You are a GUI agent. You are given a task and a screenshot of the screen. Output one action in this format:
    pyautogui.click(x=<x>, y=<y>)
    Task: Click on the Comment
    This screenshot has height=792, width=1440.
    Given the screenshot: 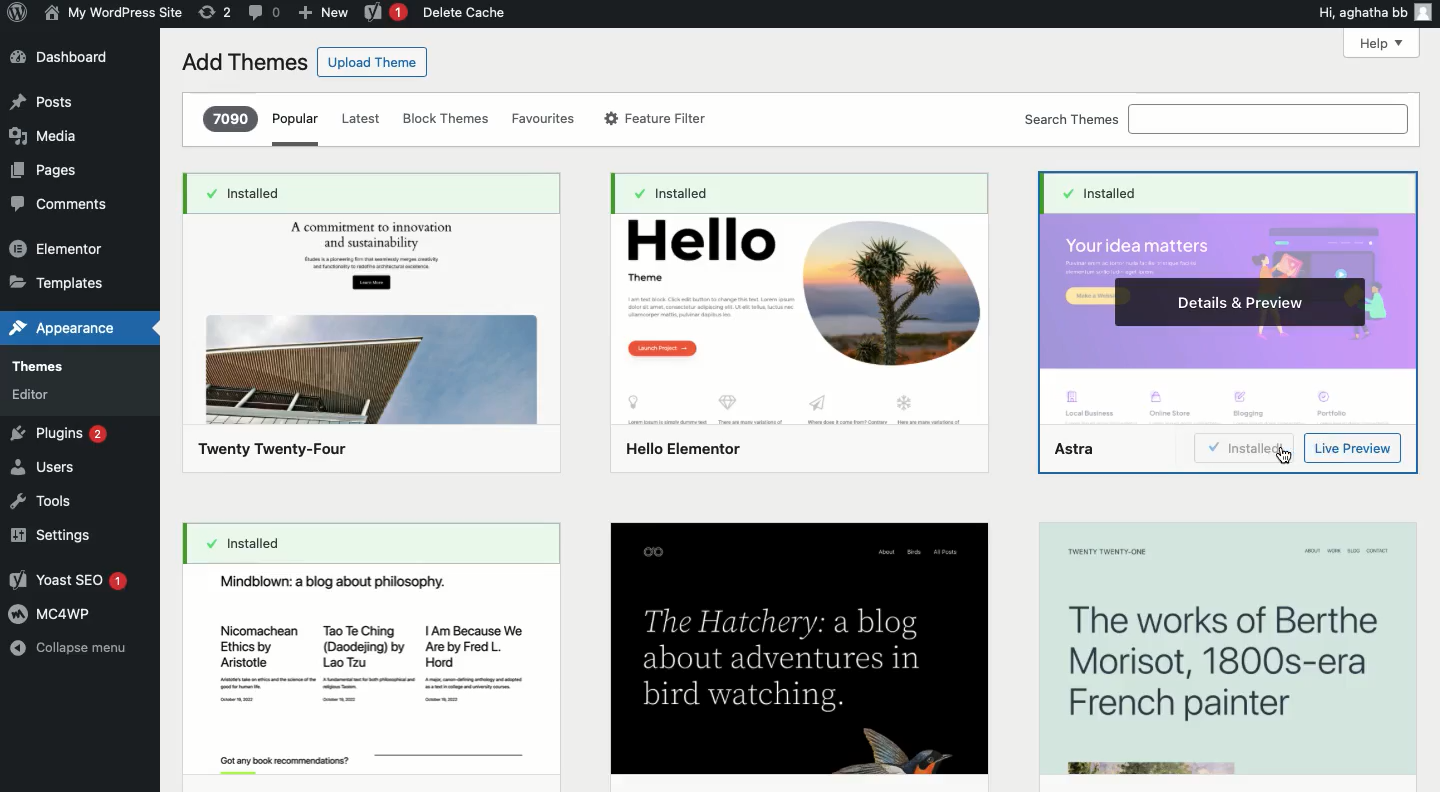 What is the action you would take?
    pyautogui.click(x=265, y=12)
    